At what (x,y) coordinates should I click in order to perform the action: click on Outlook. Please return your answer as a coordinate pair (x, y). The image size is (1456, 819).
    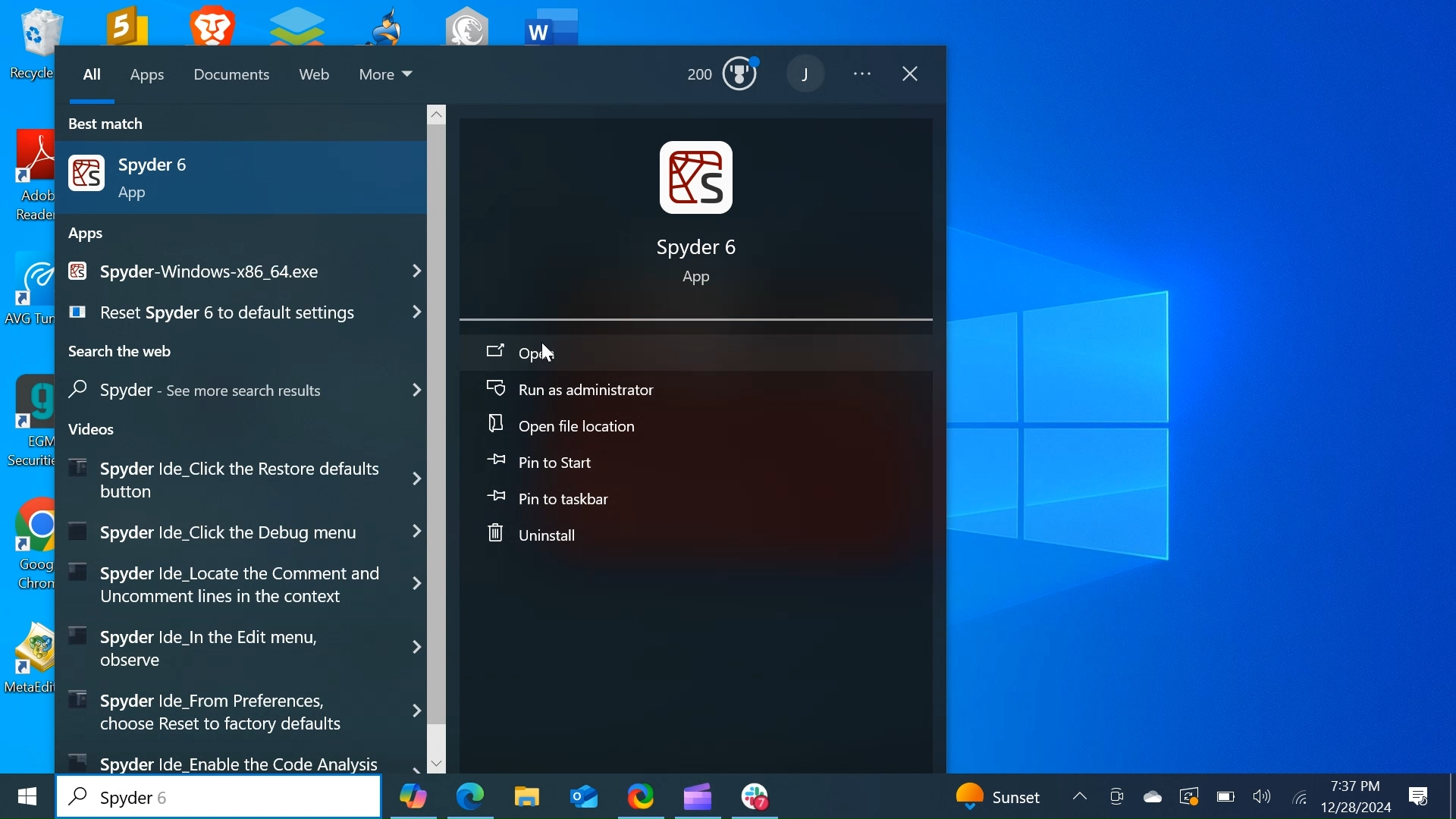
    Looking at the image, I should click on (583, 796).